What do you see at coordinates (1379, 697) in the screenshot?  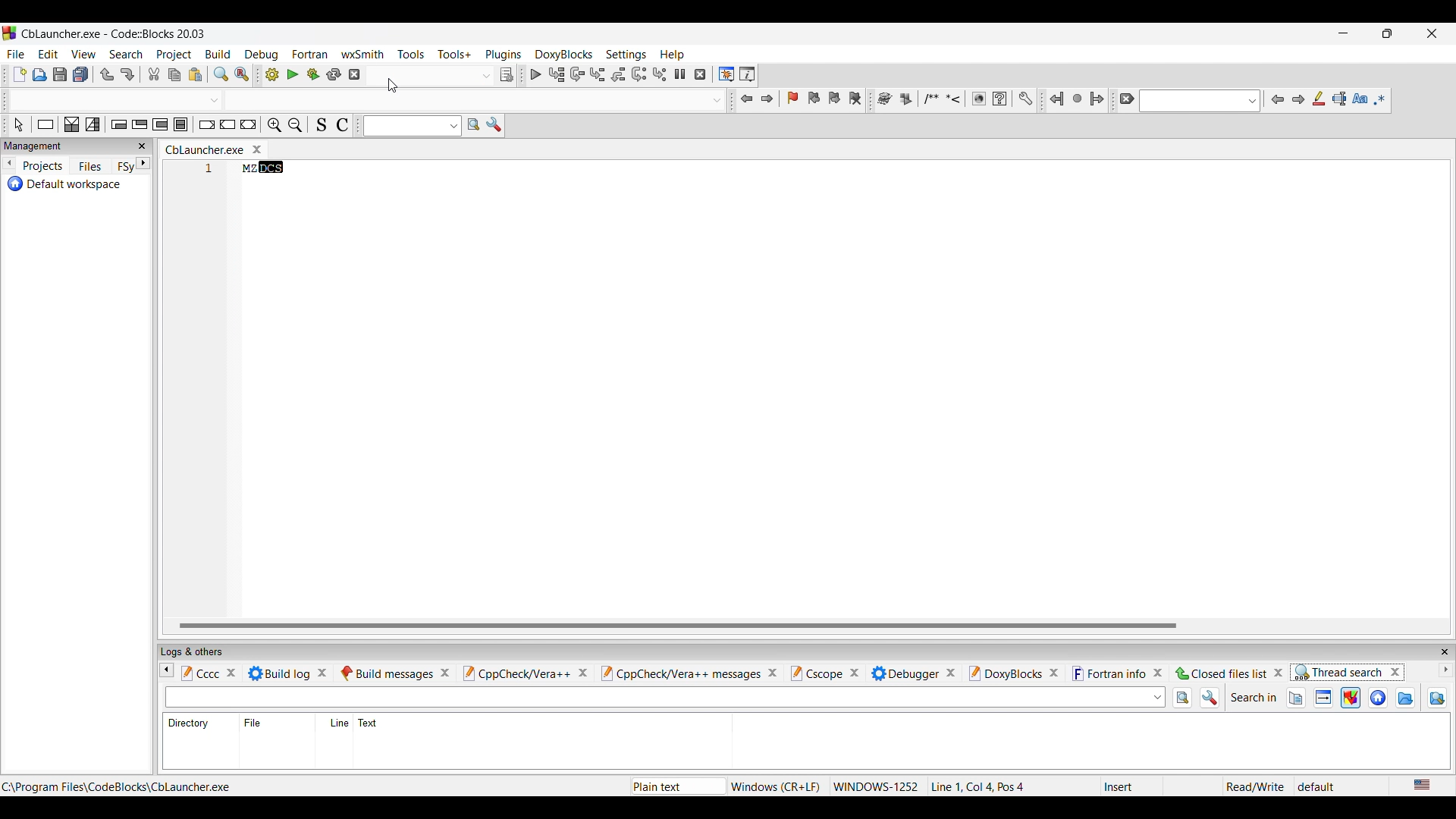 I see `Search in workspace files` at bounding box center [1379, 697].